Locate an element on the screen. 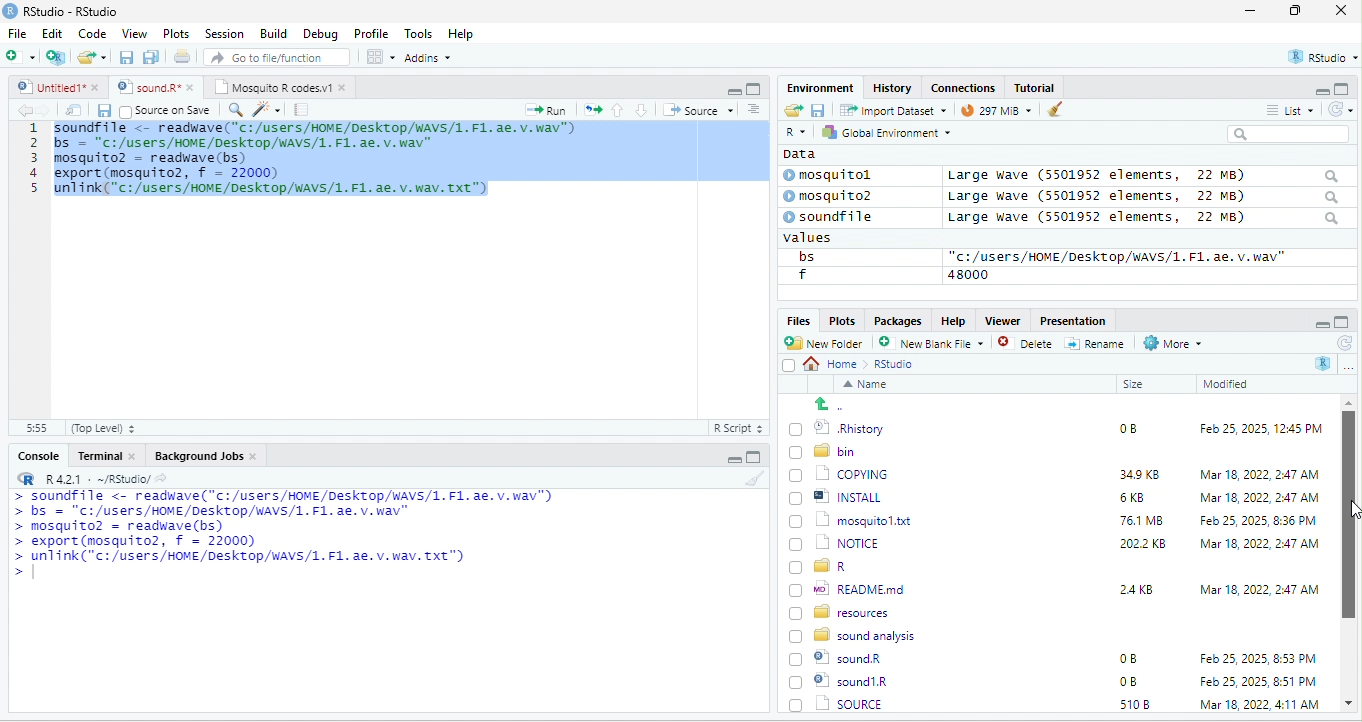 The image size is (1362, 722). RR R421 - ~/RStudio/ is located at coordinates (87, 481).